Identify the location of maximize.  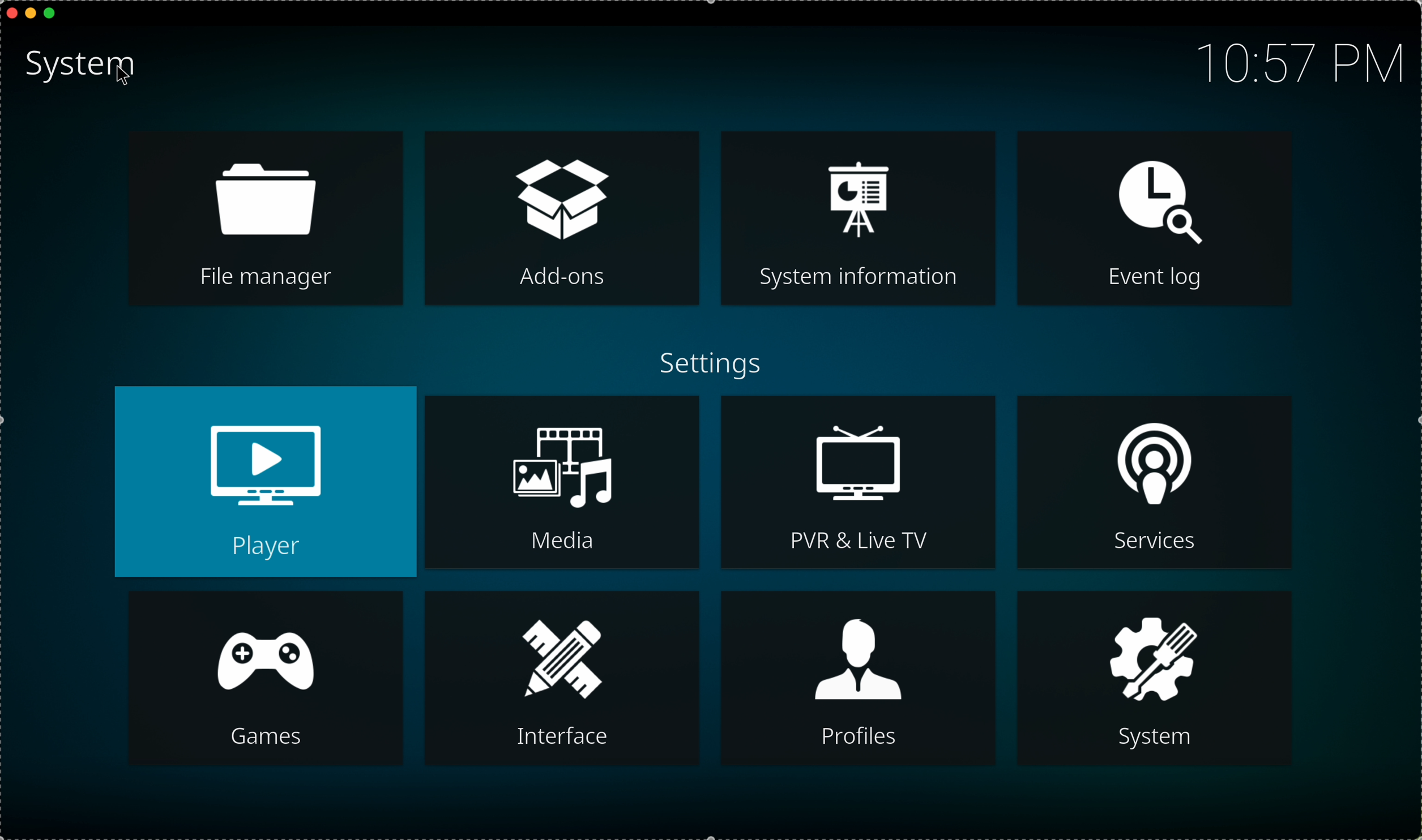
(55, 14).